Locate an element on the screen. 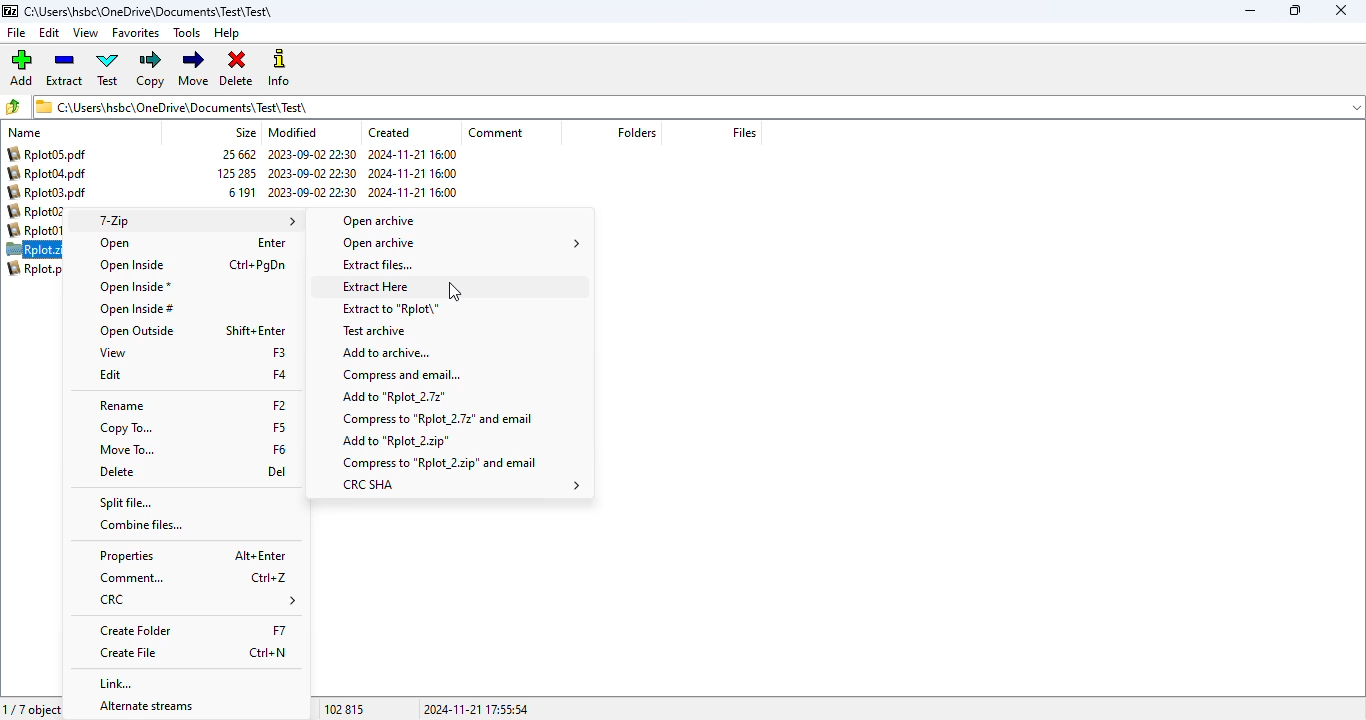 This screenshot has width=1366, height=720. comment is located at coordinates (131, 578).